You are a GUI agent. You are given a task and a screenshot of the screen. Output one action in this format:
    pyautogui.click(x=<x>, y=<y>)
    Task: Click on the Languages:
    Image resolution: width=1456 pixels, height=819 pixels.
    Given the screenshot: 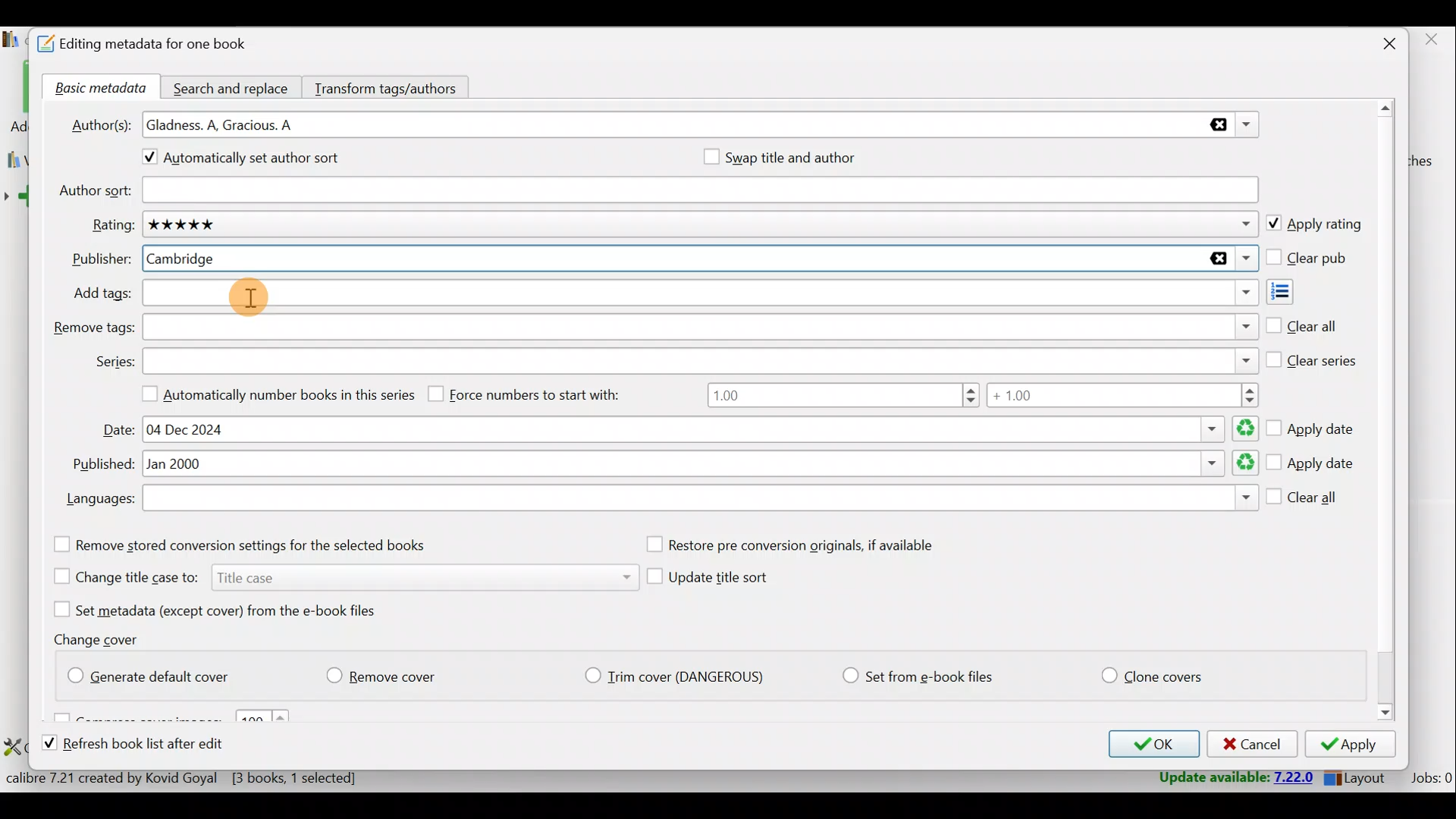 What is the action you would take?
    pyautogui.click(x=99, y=500)
    